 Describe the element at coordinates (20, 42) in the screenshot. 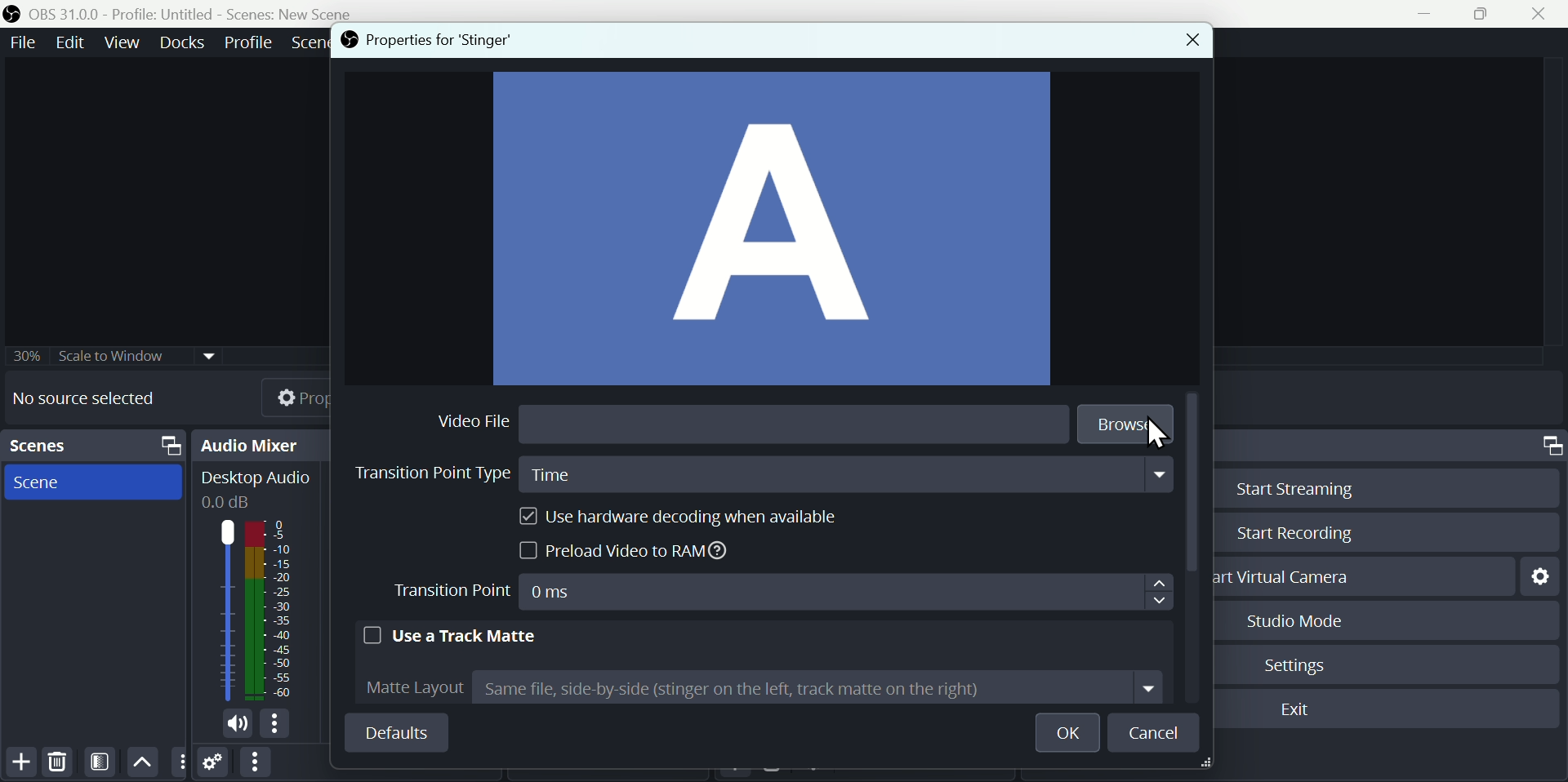

I see `` at that location.